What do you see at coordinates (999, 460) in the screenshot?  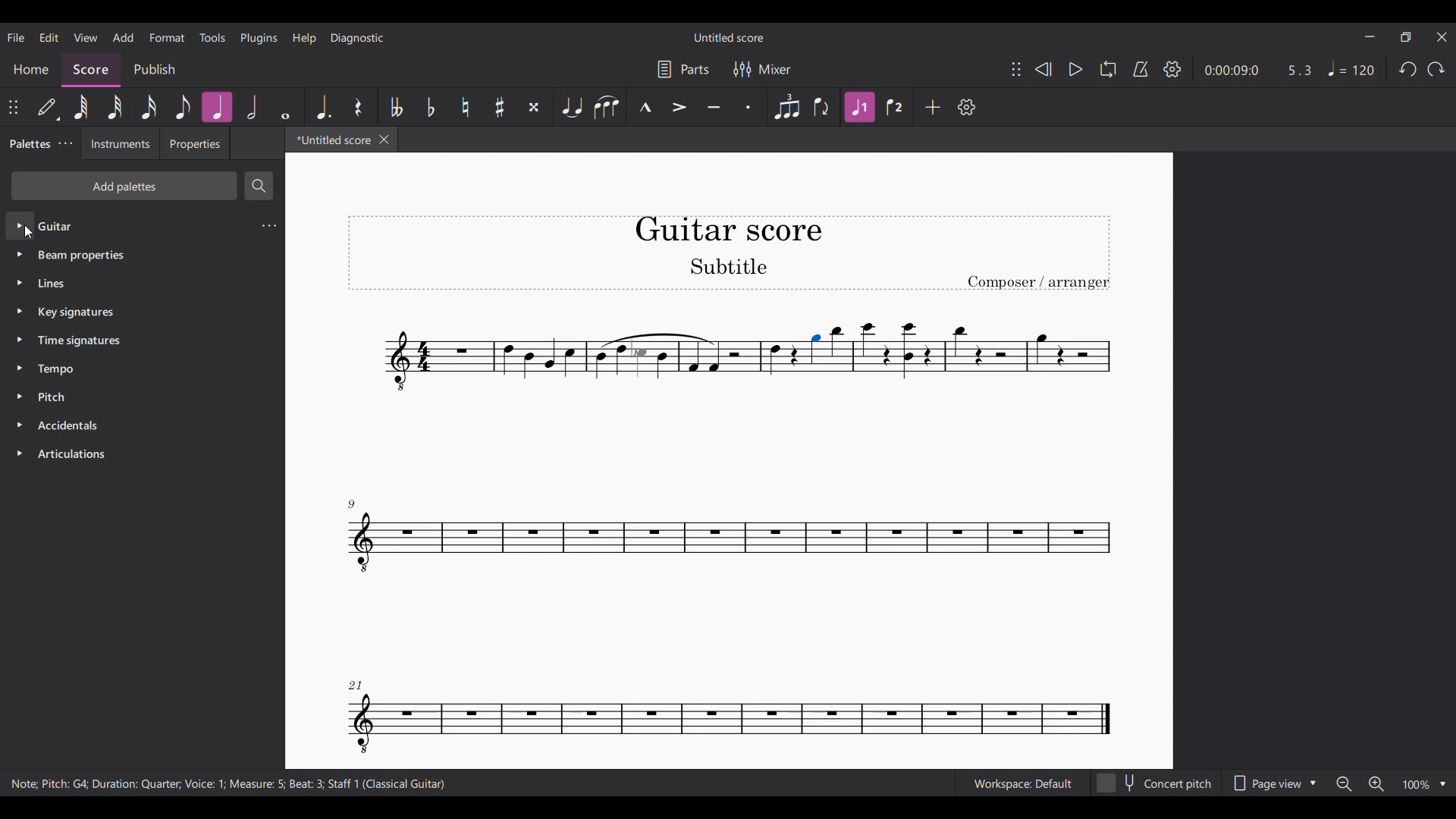 I see `Current score` at bounding box center [999, 460].